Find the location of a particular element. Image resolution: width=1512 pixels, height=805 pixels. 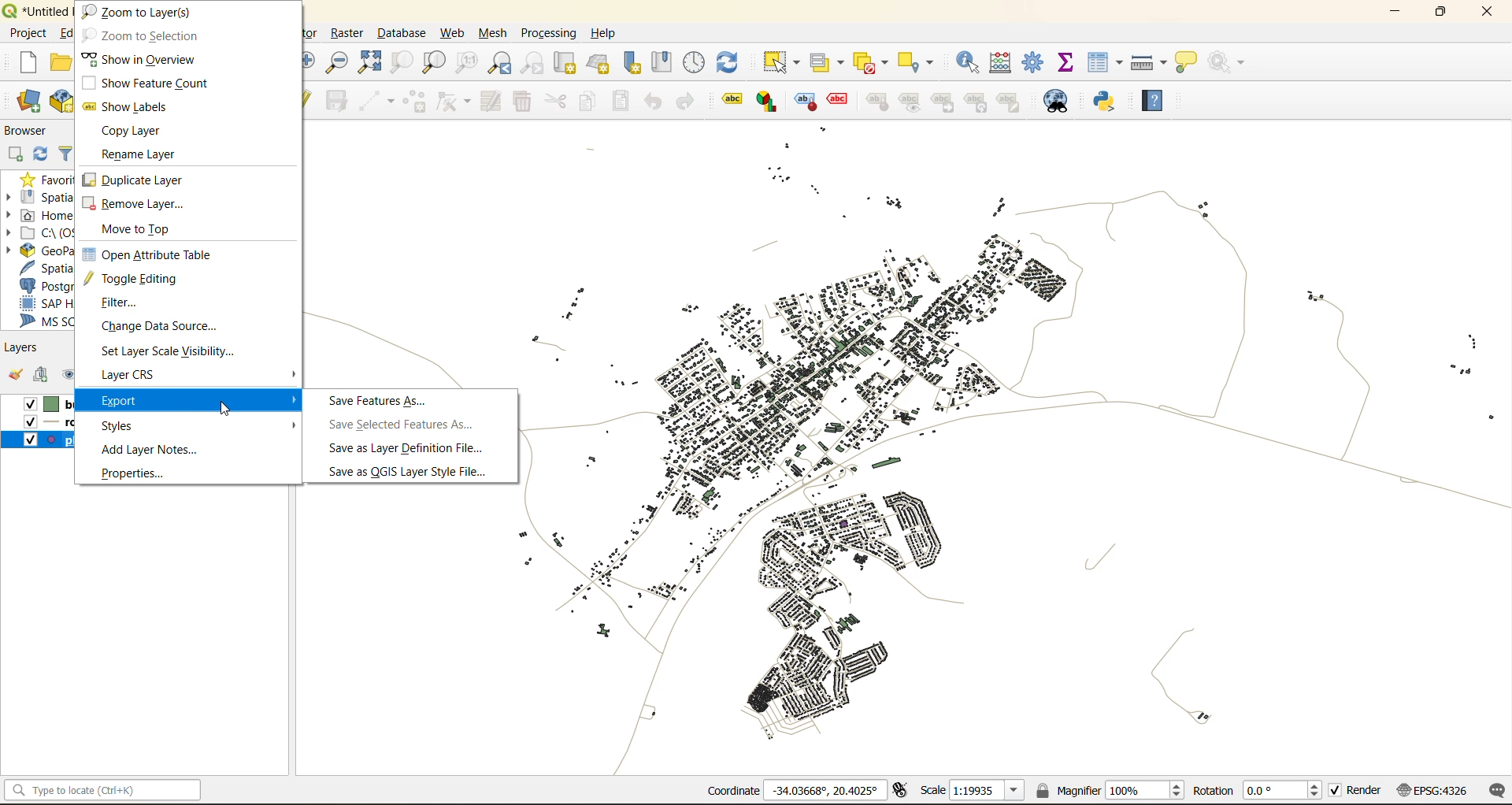

add layer notes is located at coordinates (150, 450).